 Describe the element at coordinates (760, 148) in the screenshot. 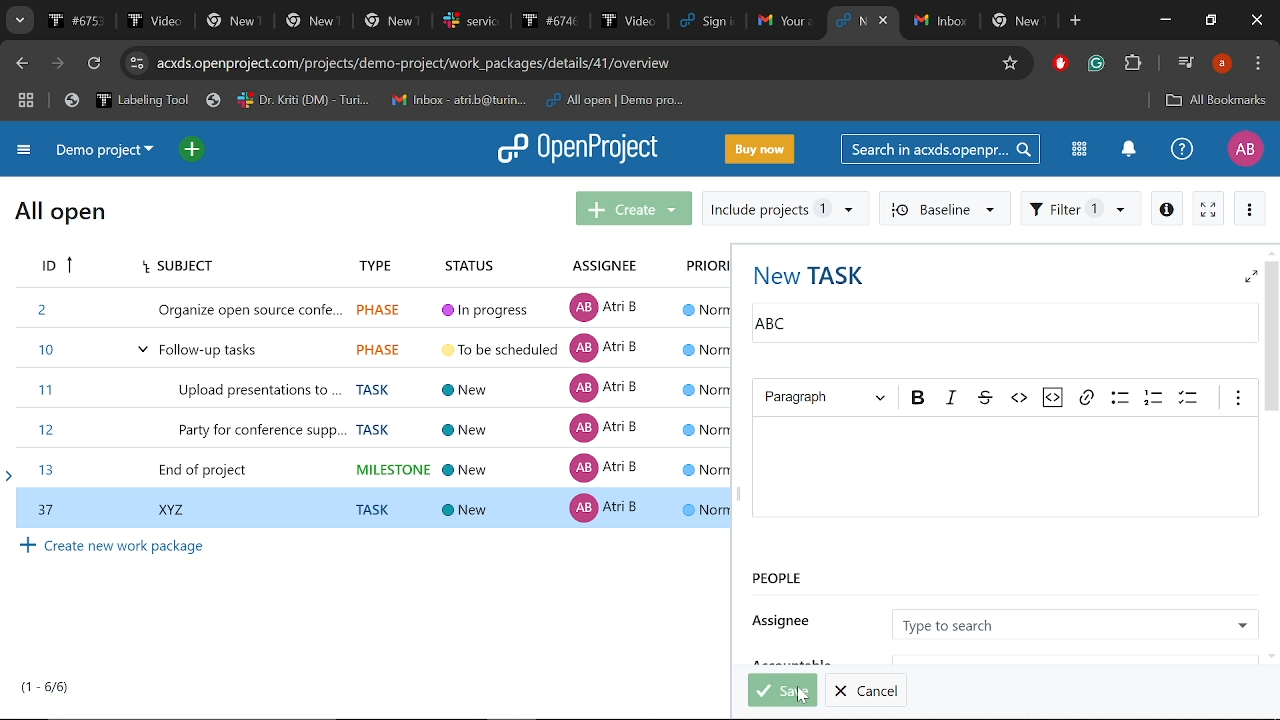

I see `Buy now` at that location.